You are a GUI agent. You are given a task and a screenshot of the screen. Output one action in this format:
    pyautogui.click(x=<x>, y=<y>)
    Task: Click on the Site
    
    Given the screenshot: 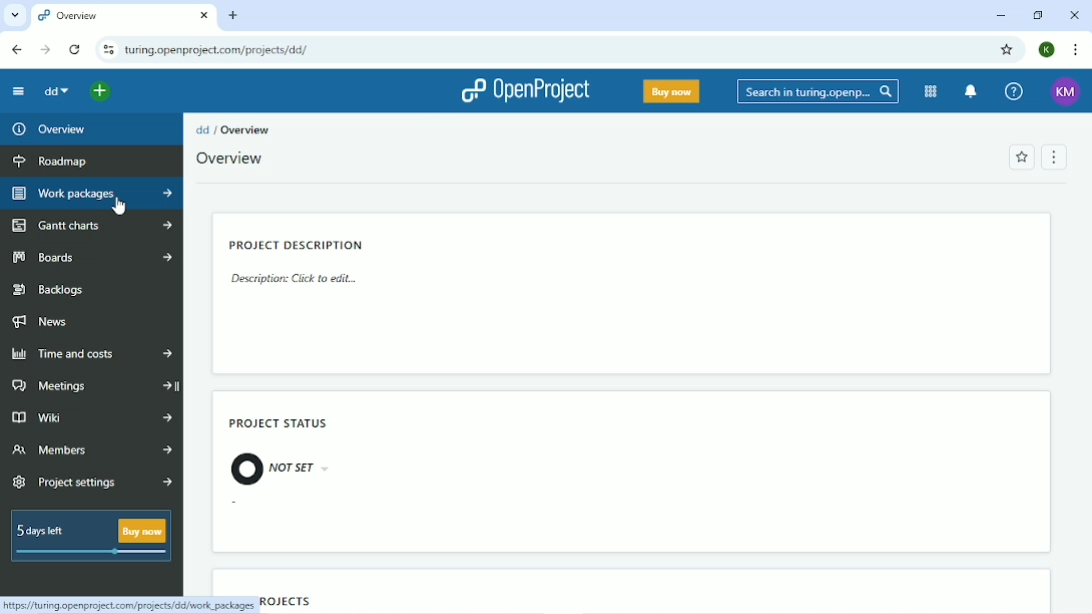 What is the action you would take?
    pyautogui.click(x=219, y=48)
    